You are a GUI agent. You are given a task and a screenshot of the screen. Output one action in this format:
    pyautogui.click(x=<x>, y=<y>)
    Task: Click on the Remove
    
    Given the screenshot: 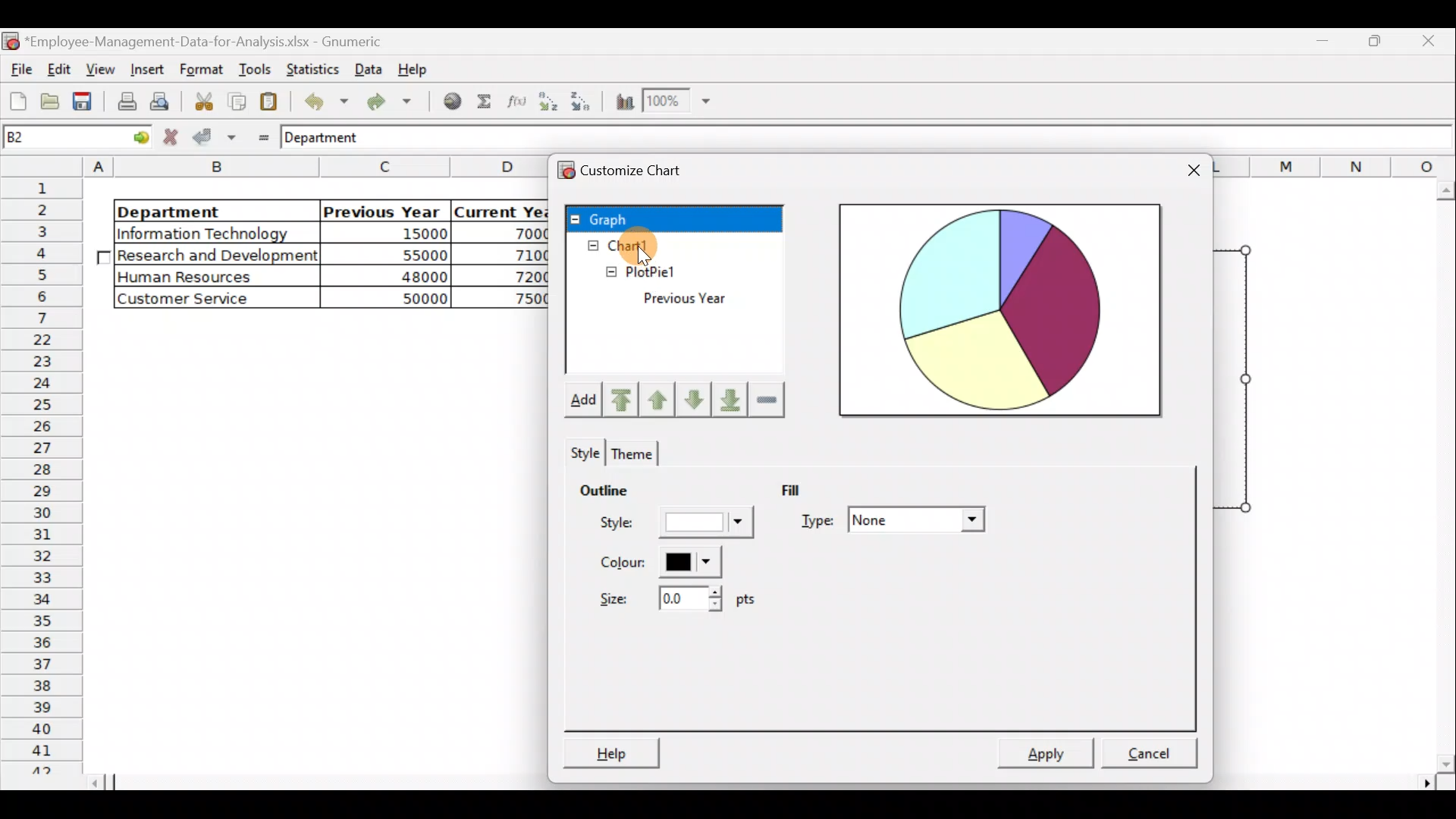 What is the action you would take?
    pyautogui.click(x=766, y=400)
    